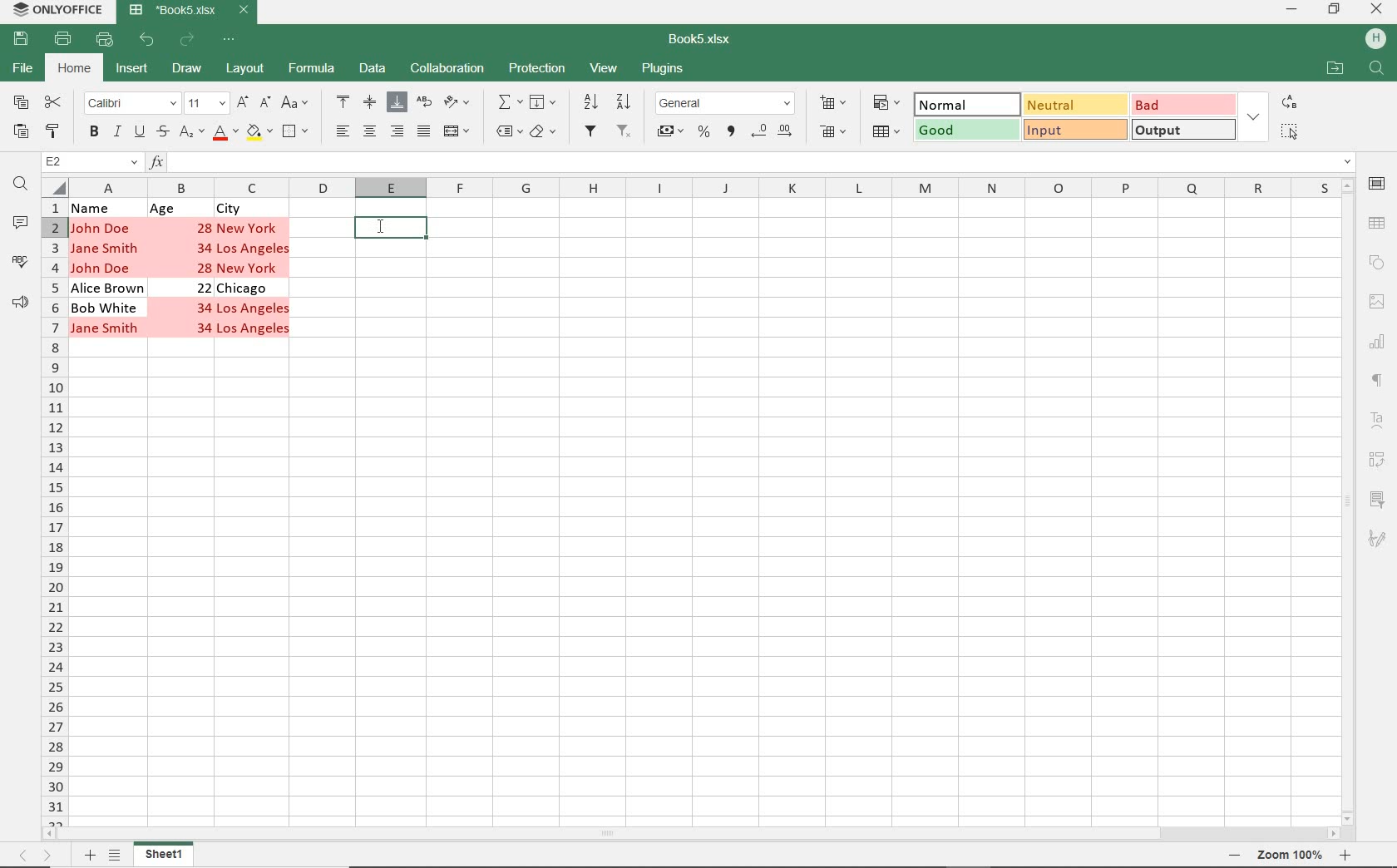 The height and width of the screenshot is (868, 1397). What do you see at coordinates (462, 104) in the screenshot?
I see `ORIENTATION` at bounding box center [462, 104].